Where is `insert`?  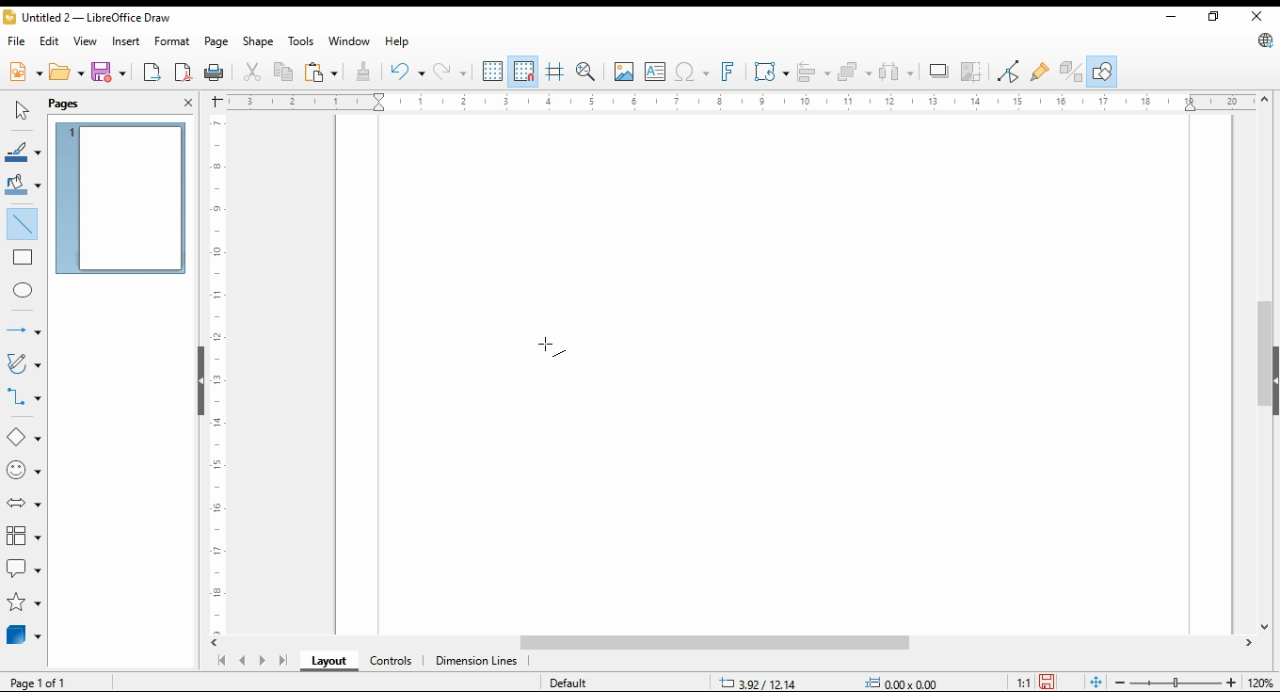
insert is located at coordinates (126, 40).